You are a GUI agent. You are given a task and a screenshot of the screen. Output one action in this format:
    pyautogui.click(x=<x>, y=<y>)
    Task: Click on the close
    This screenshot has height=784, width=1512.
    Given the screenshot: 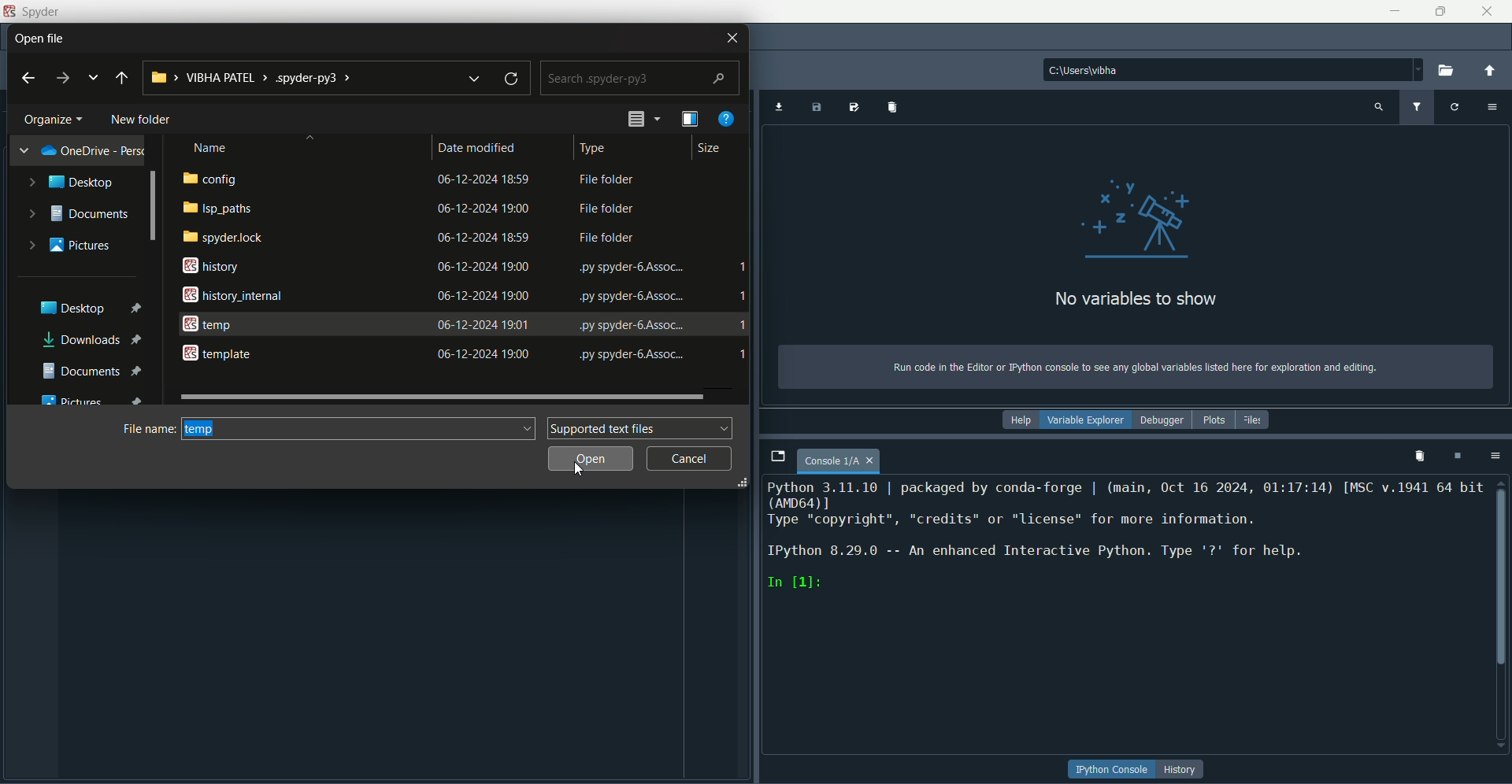 What is the action you would take?
    pyautogui.click(x=730, y=39)
    